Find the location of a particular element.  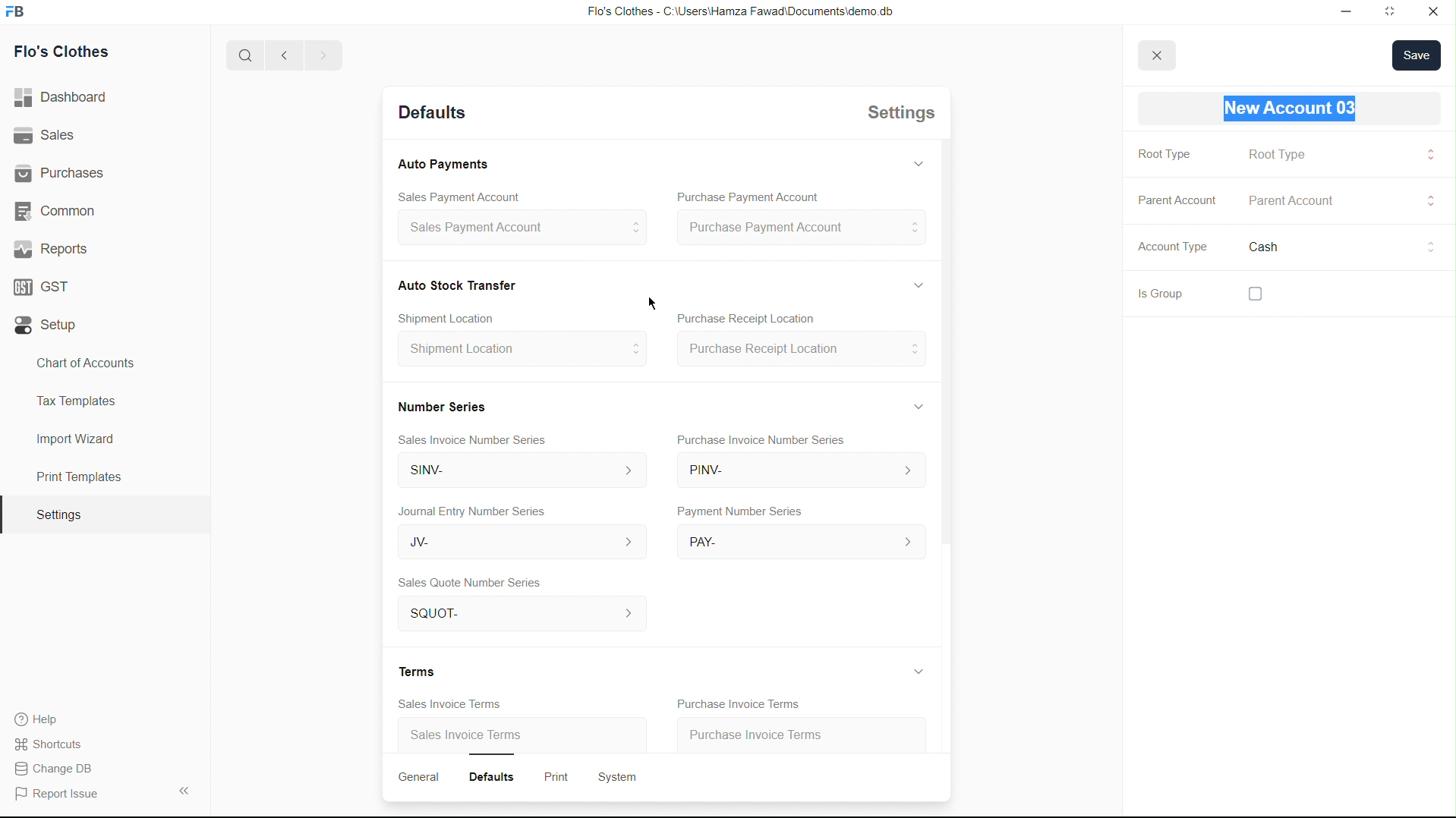

Change DB is located at coordinates (58, 769).